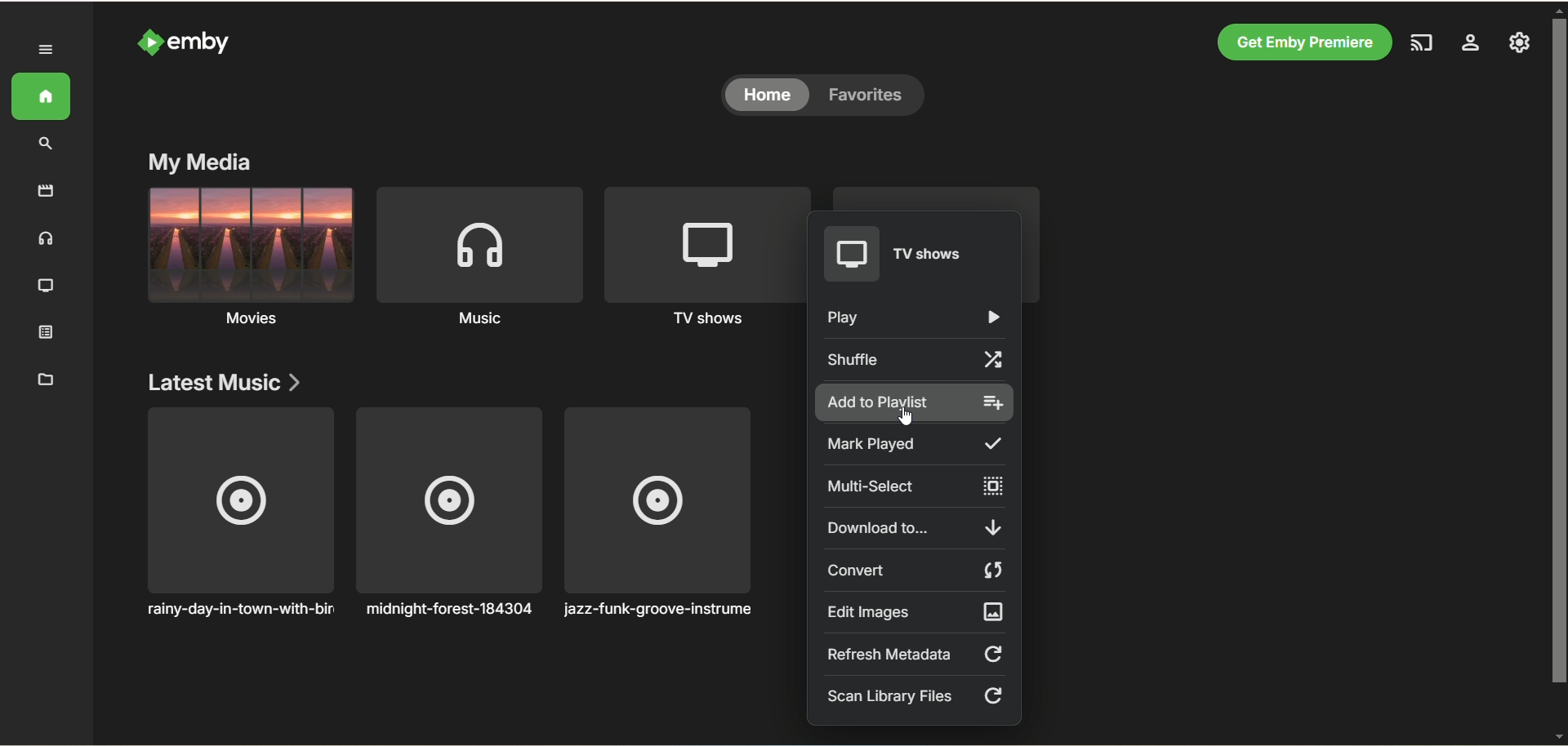 This screenshot has height=746, width=1568. Describe the element at coordinates (1303, 42) in the screenshot. I see `Get emby premiere` at that location.